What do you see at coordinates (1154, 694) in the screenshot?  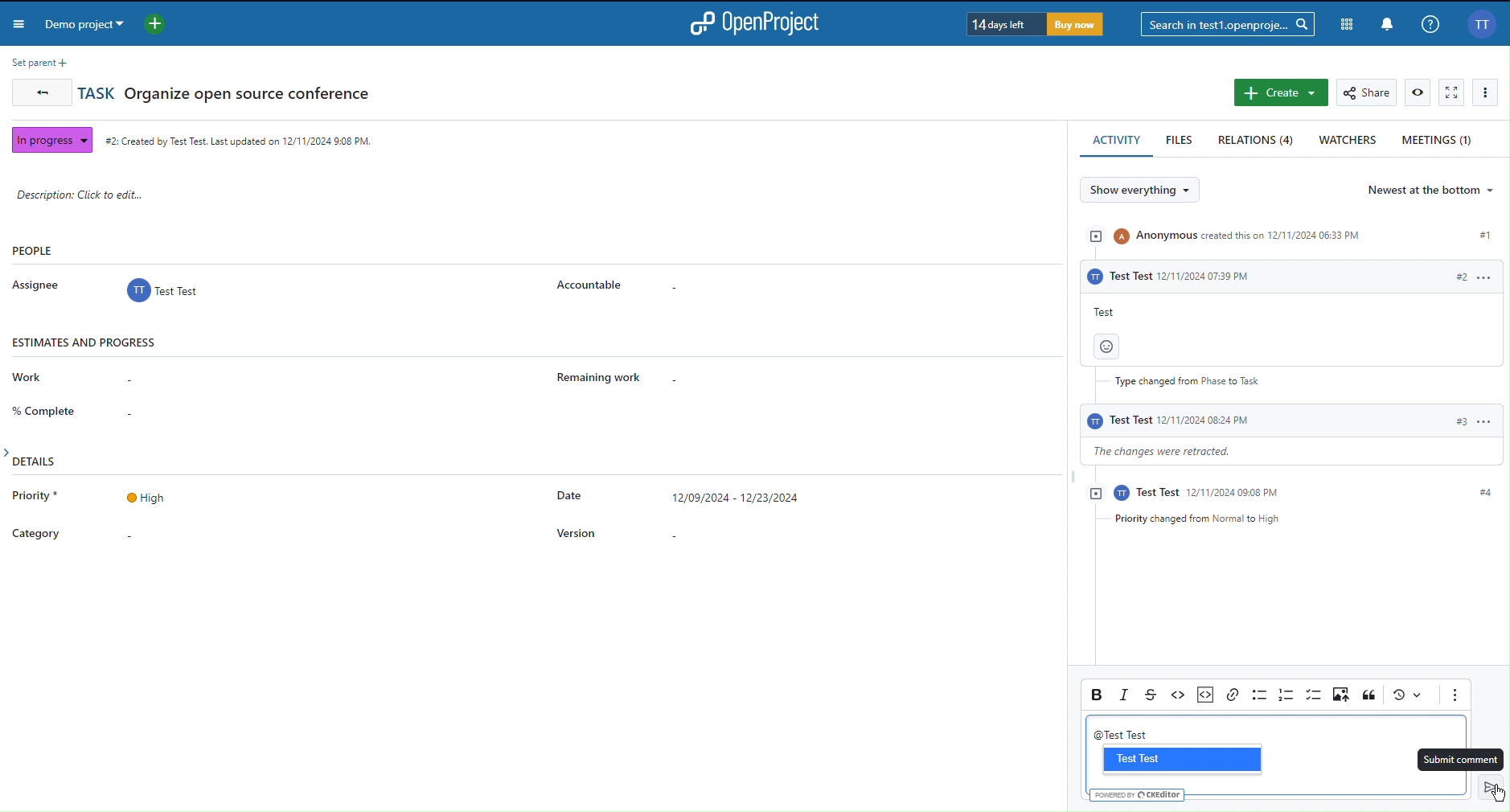 I see `Strikethrough` at bounding box center [1154, 694].